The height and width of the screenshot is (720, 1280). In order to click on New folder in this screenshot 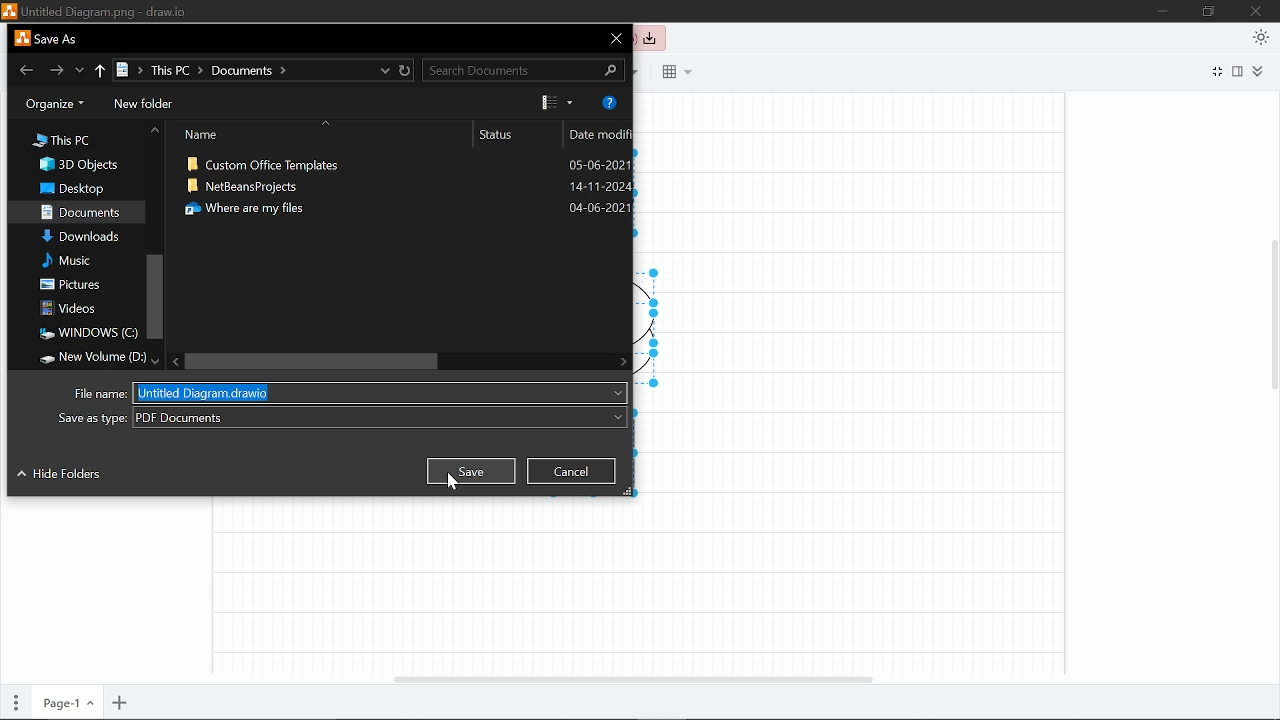, I will do `click(145, 105)`.